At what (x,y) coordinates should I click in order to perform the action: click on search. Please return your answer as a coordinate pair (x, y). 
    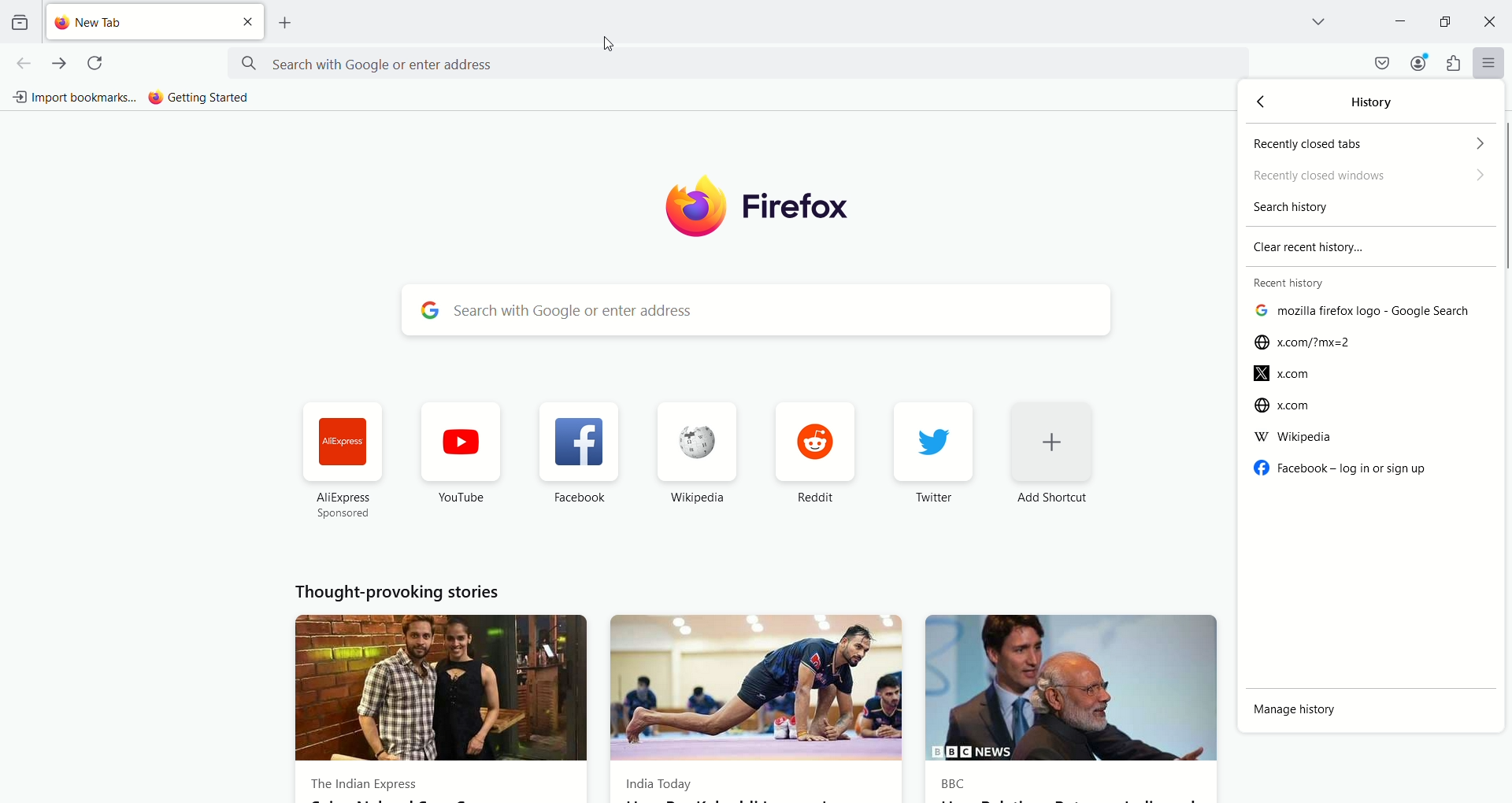
    Looking at the image, I should click on (739, 64).